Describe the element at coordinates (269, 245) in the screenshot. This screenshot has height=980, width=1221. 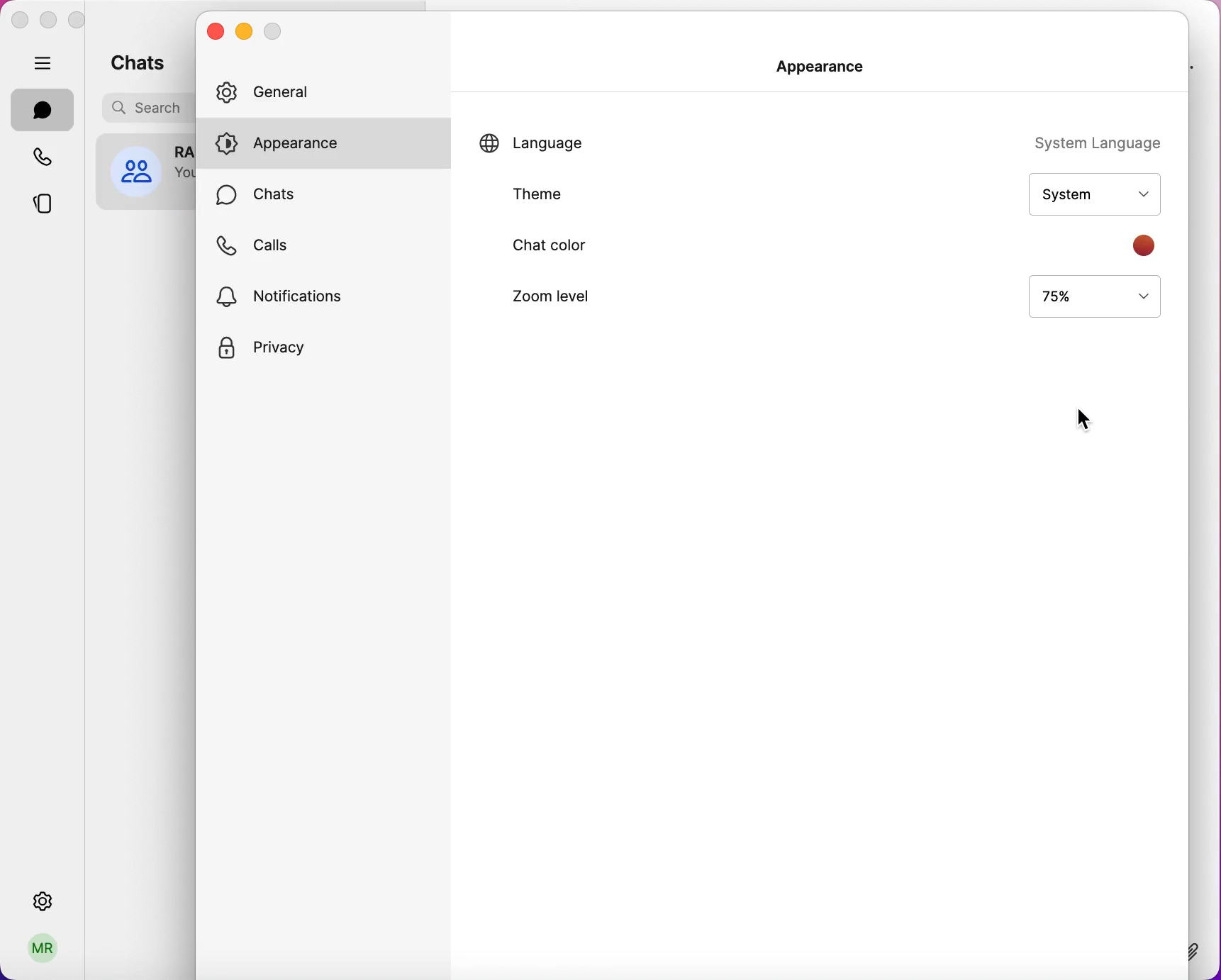
I see `calls` at that location.